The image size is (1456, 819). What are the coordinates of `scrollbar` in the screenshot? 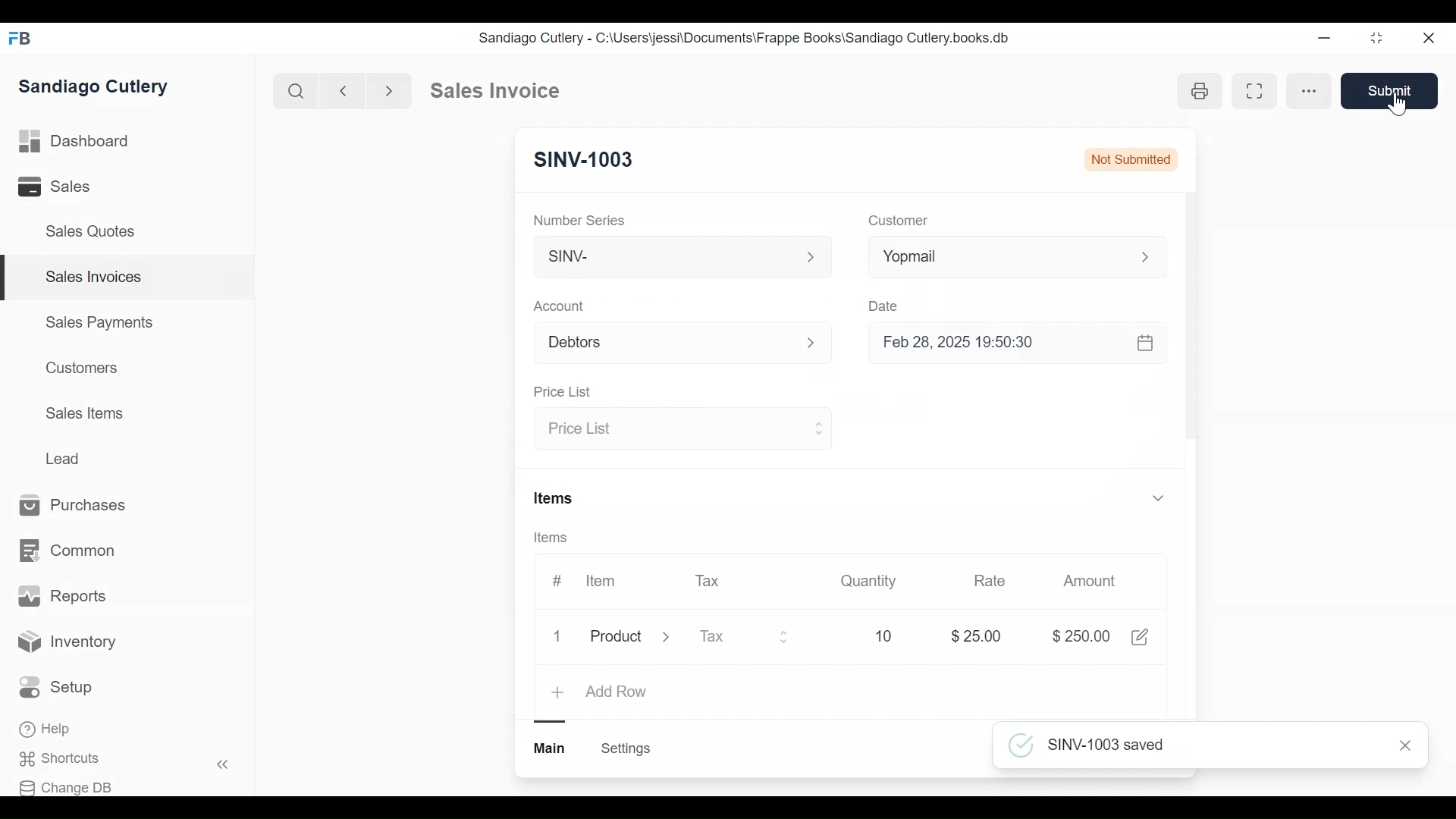 It's located at (1191, 321).